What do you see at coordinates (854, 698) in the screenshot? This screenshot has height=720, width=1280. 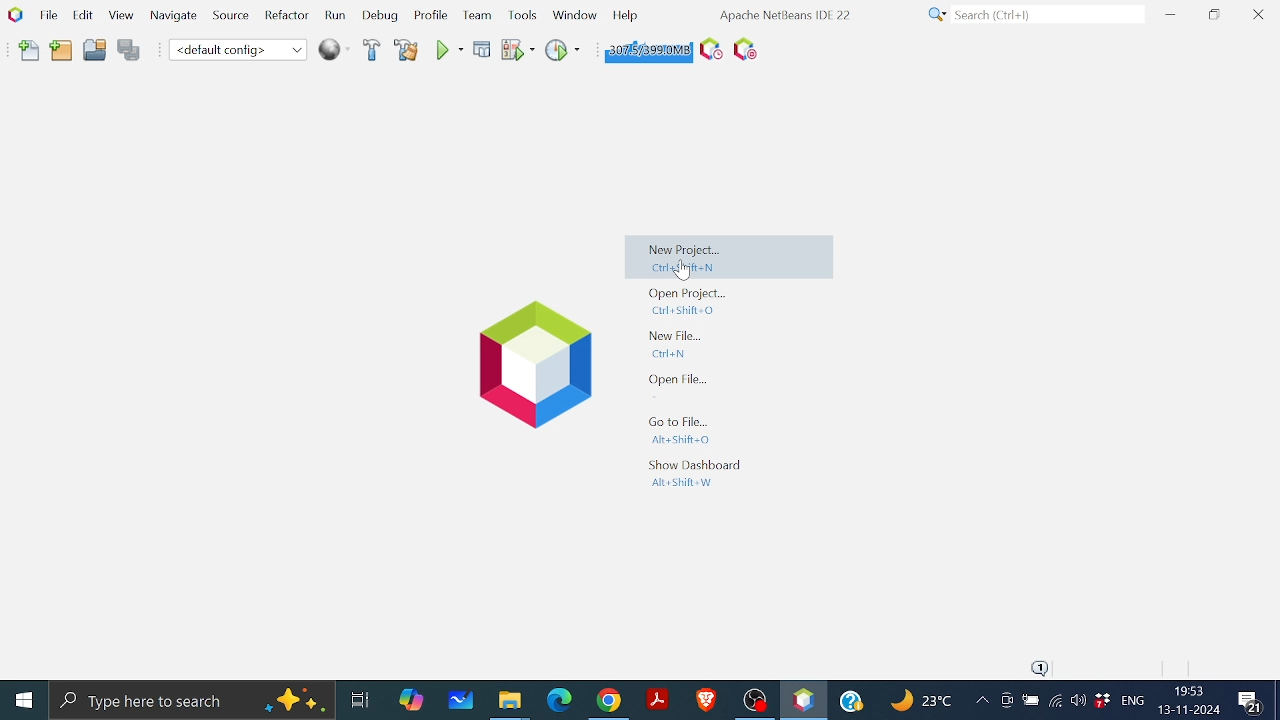 I see `Help` at bounding box center [854, 698].